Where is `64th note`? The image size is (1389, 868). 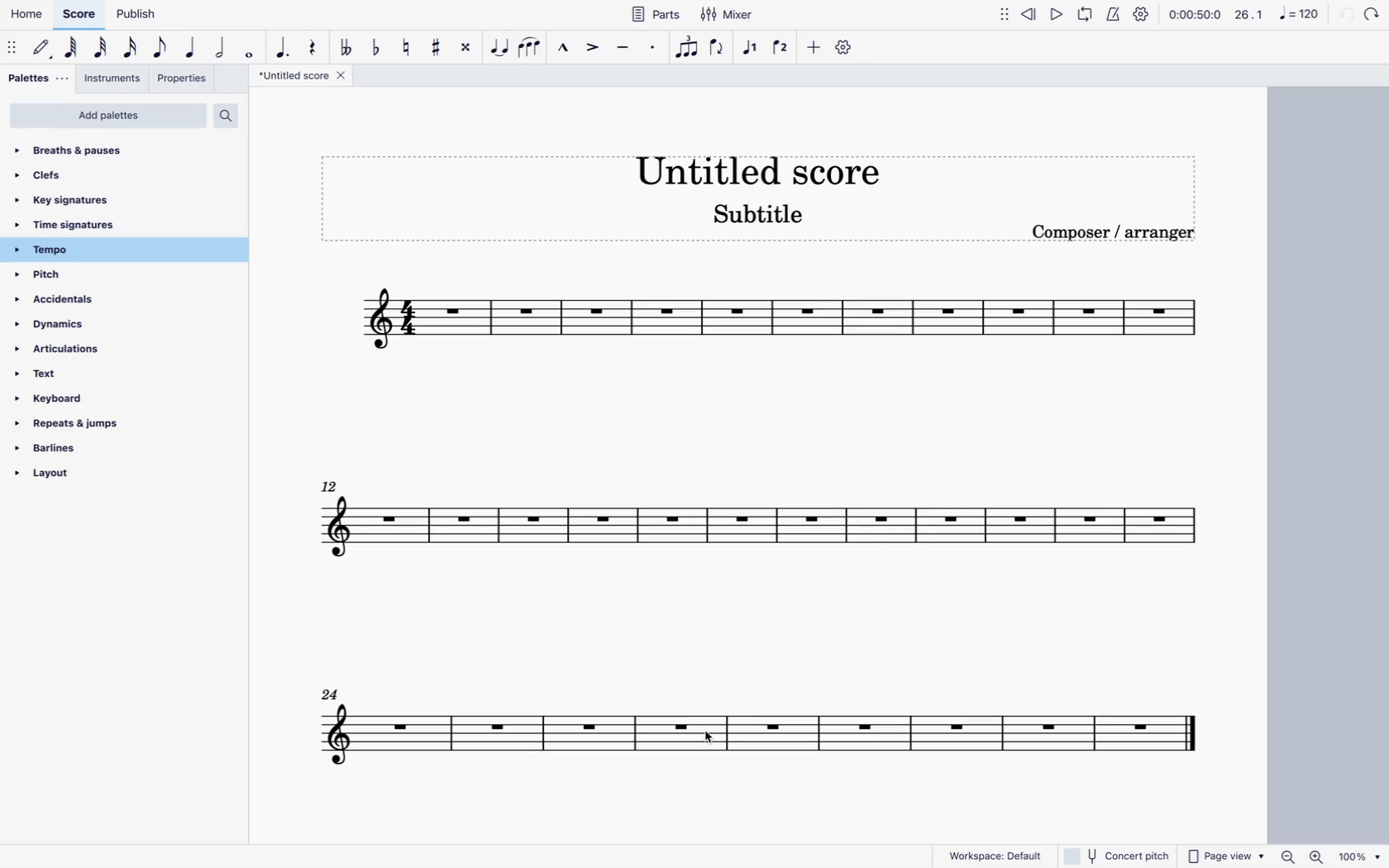
64th note is located at coordinates (73, 48).